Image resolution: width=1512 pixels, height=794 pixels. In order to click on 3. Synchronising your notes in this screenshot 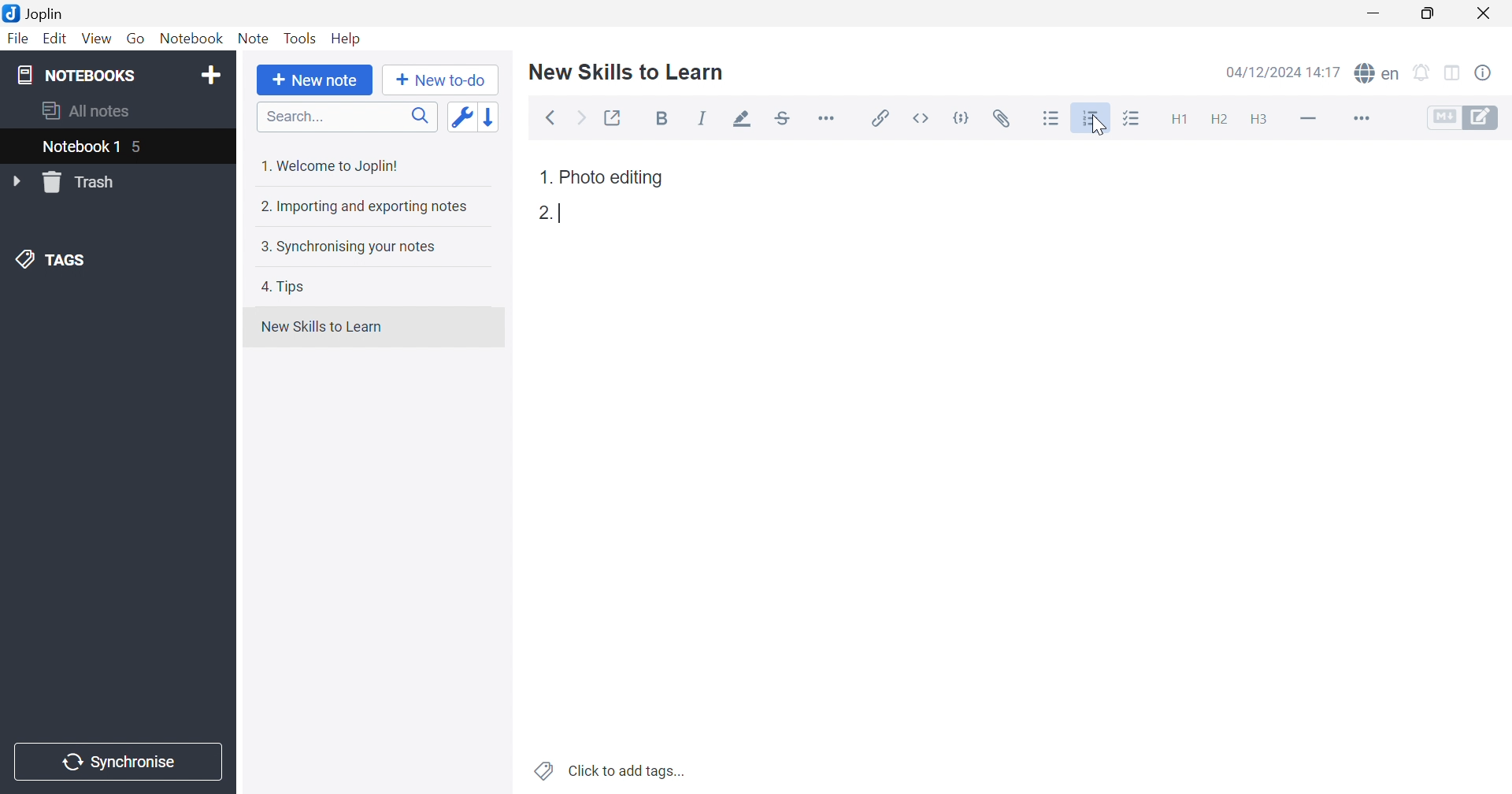, I will do `click(344, 246)`.